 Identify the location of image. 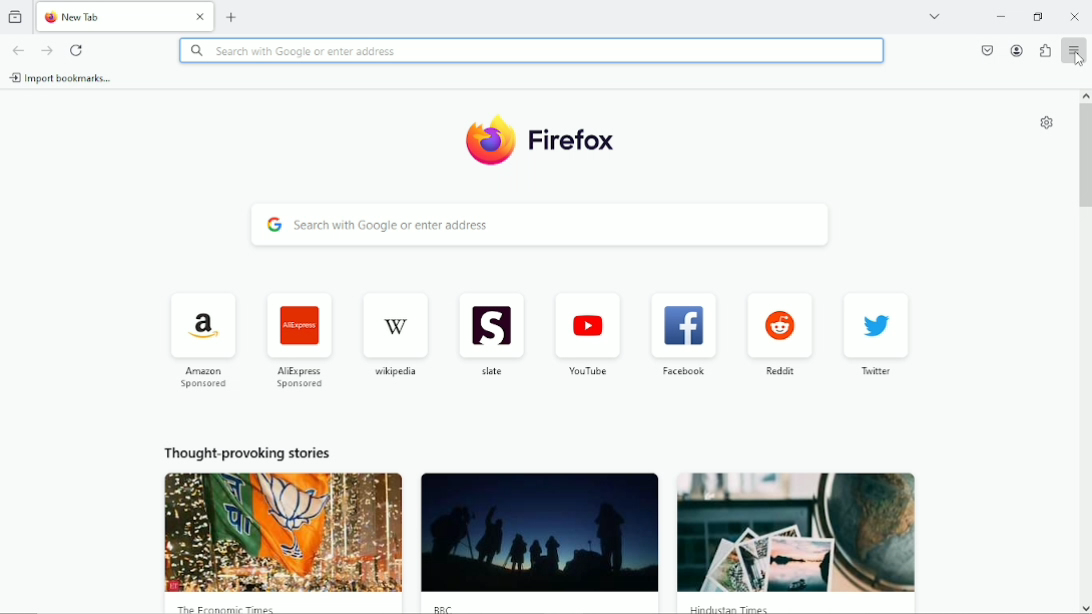
(539, 533).